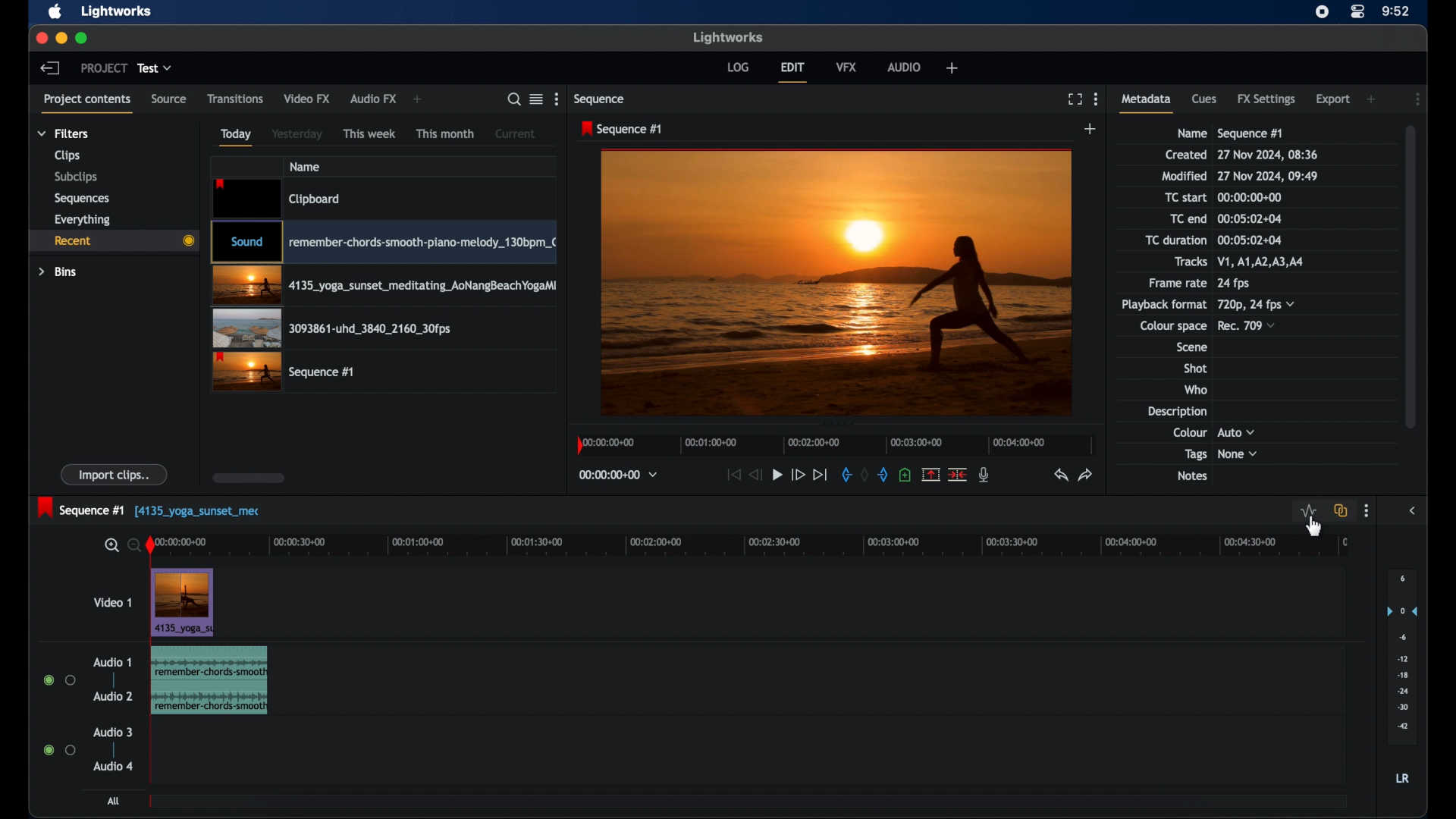  I want to click on audio 1, so click(112, 662).